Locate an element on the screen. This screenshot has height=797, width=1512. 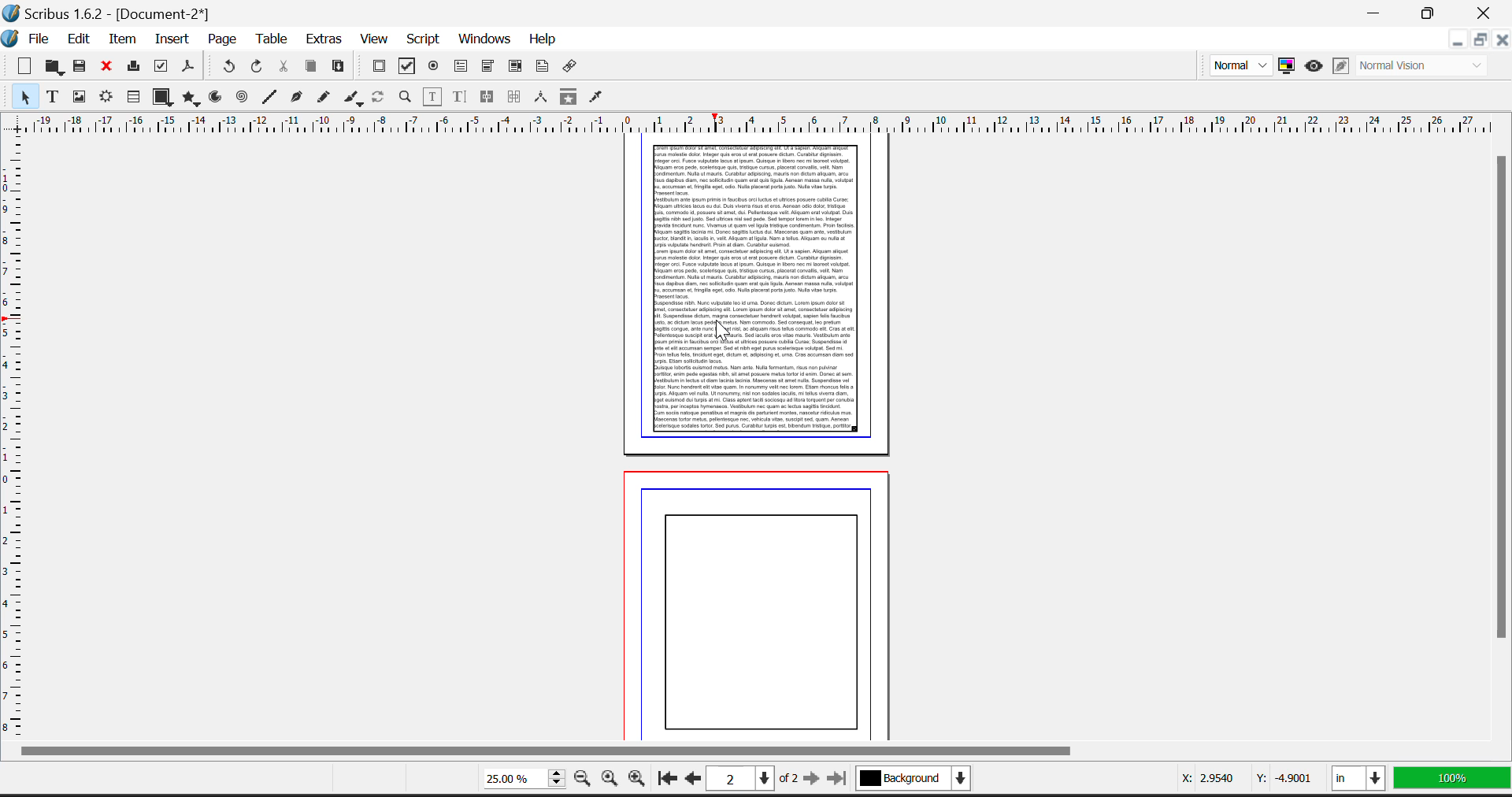
Restore Down is located at coordinates (1456, 42).